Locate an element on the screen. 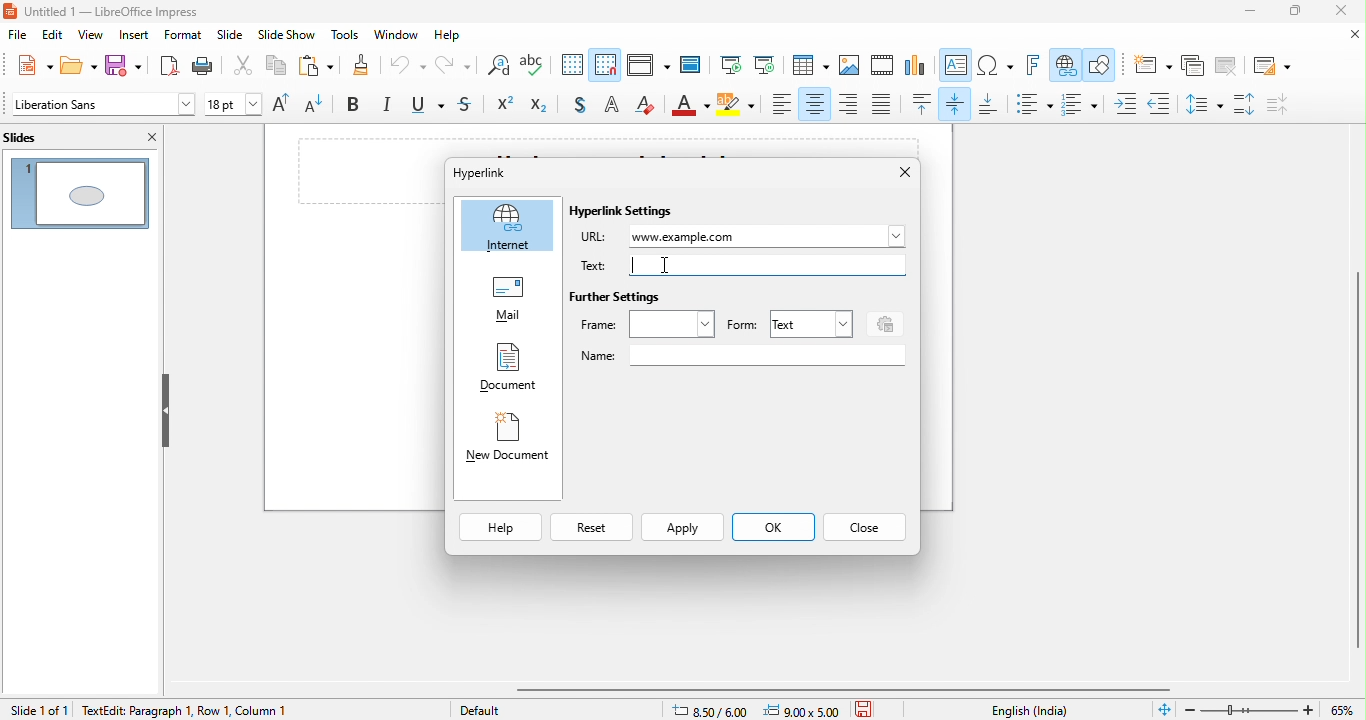 This screenshot has height=720, width=1366. justified is located at coordinates (883, 105).